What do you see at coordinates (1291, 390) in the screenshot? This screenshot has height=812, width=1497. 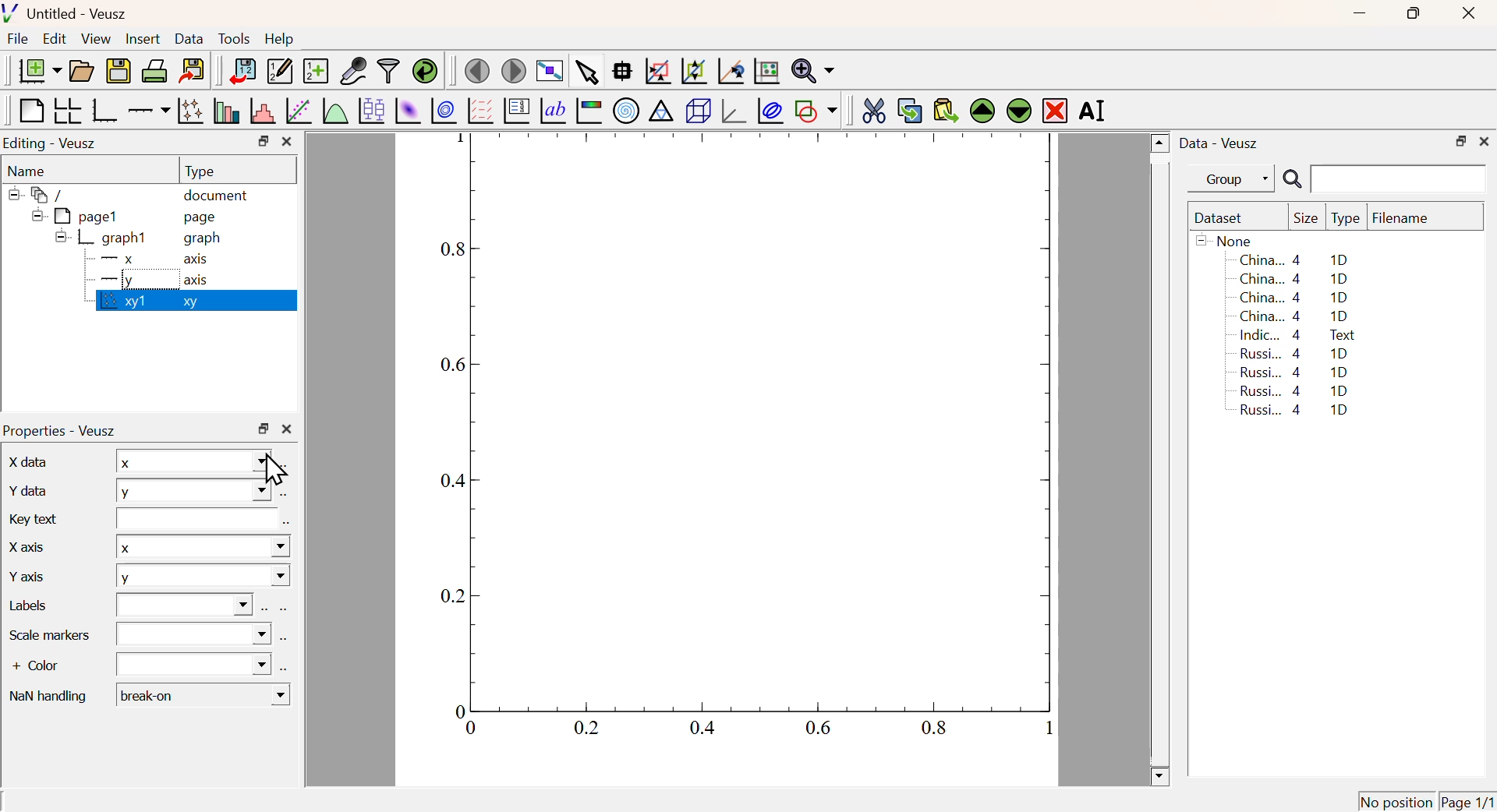 I see `Russi... 4 1D` at bounding box center [1291, 390].